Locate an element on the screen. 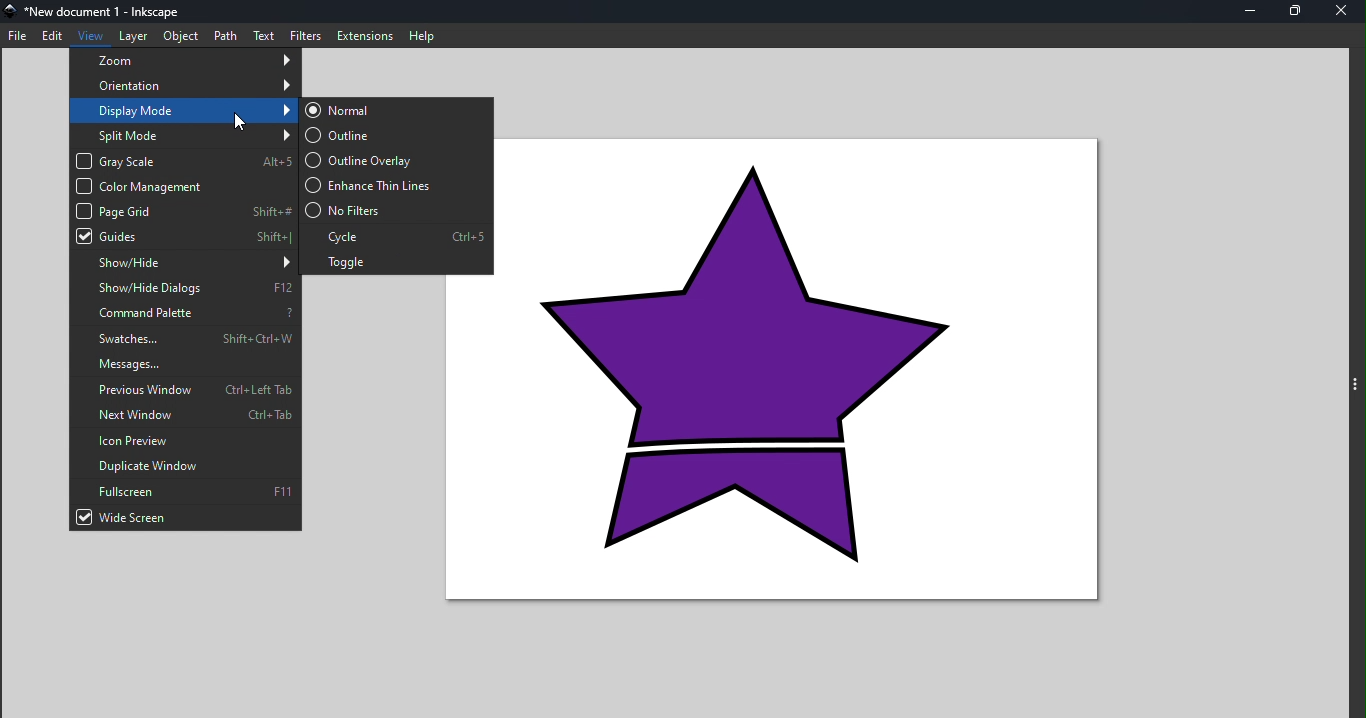 This screenshot has height=718, width=1366. Minimize is located at coordinates (1254, 11).